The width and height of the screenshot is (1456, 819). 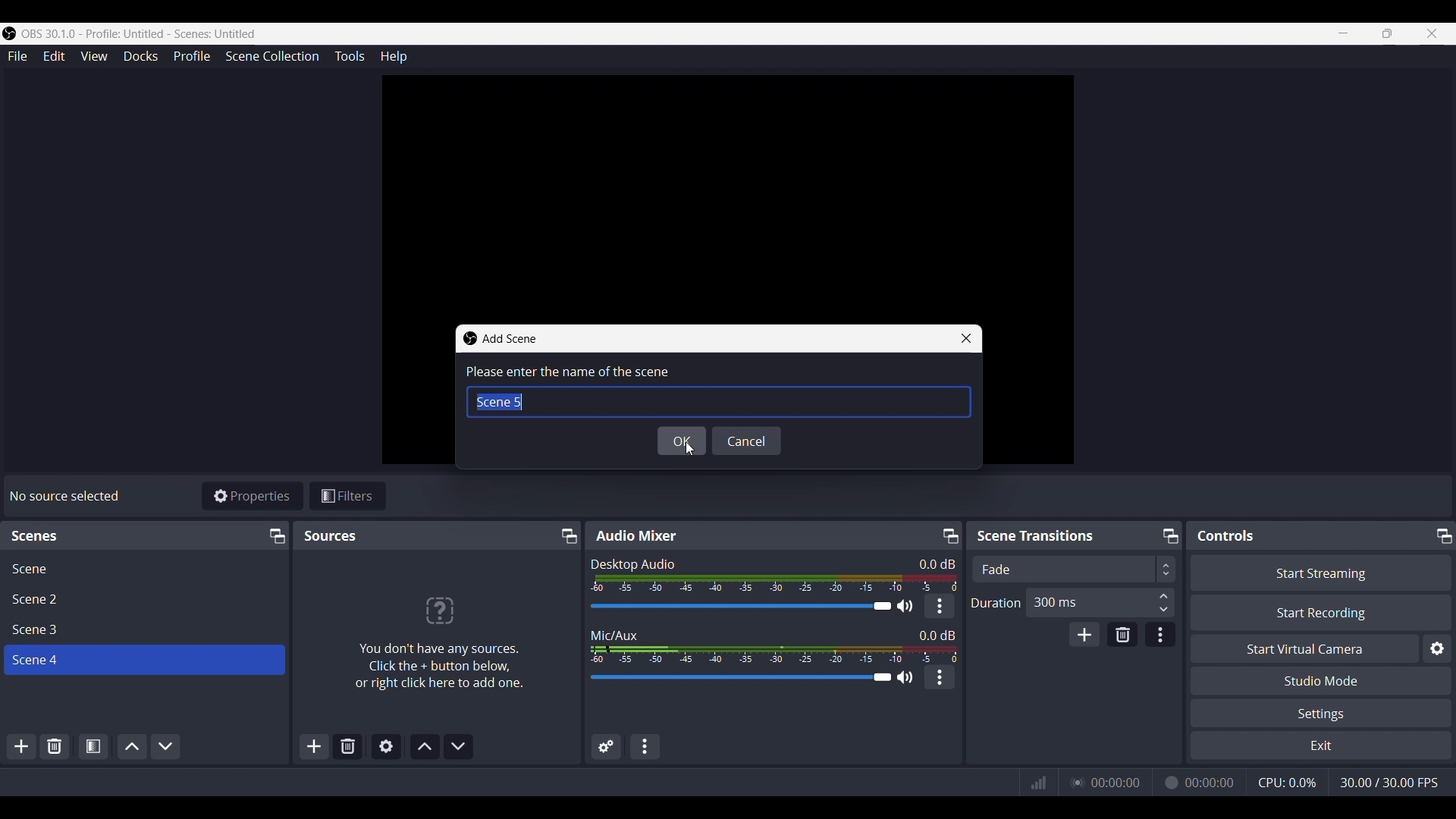 What do you see at coordinates (616, 632) in the screenshot?
I see `Mic/Aux` at bounding box center [616, 632].